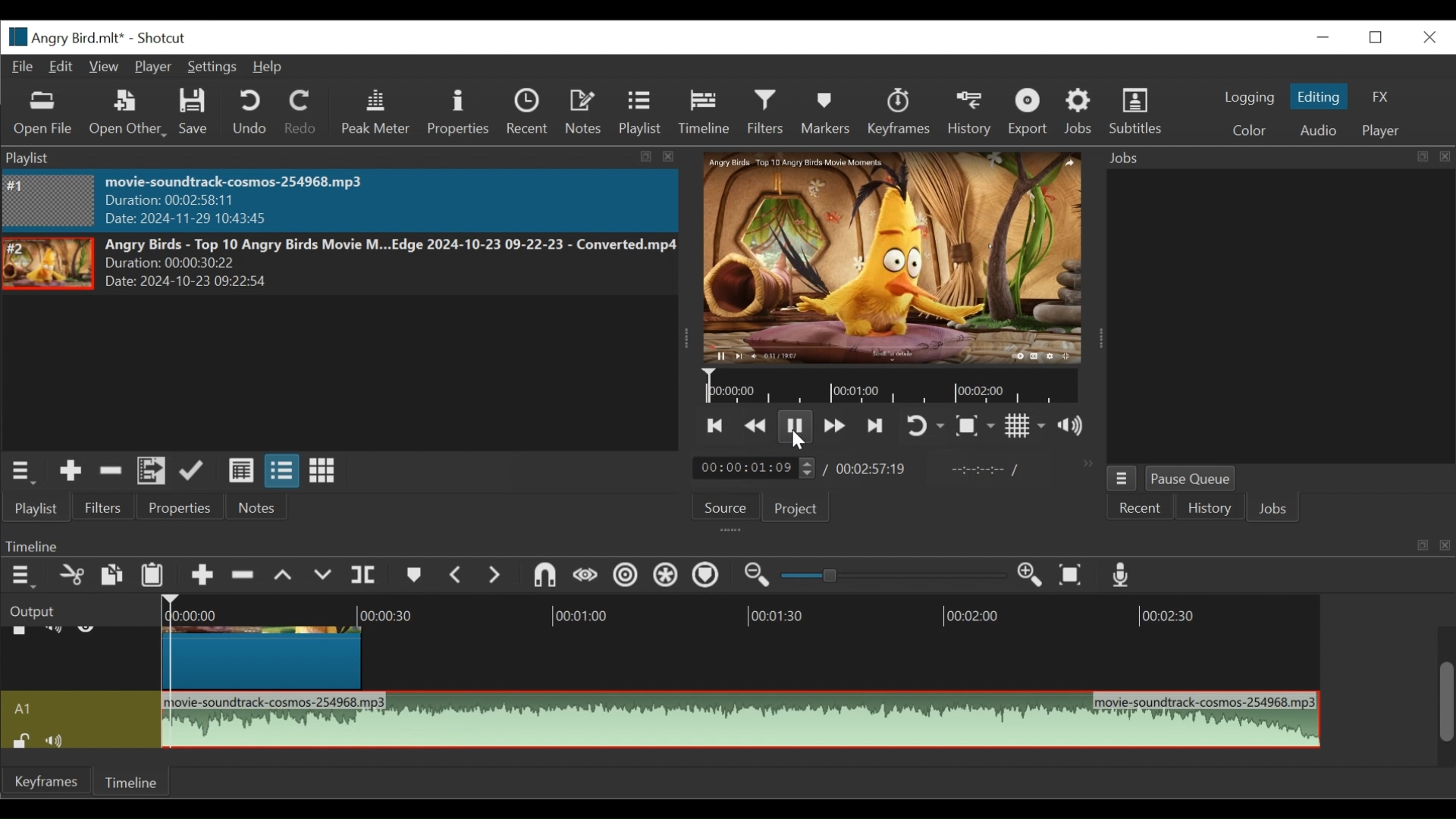 This screenshot has width=1456, height=819. Describe the element at coordinates (877, 426) in the screenshot. I see `Skip to the next point` at that location.